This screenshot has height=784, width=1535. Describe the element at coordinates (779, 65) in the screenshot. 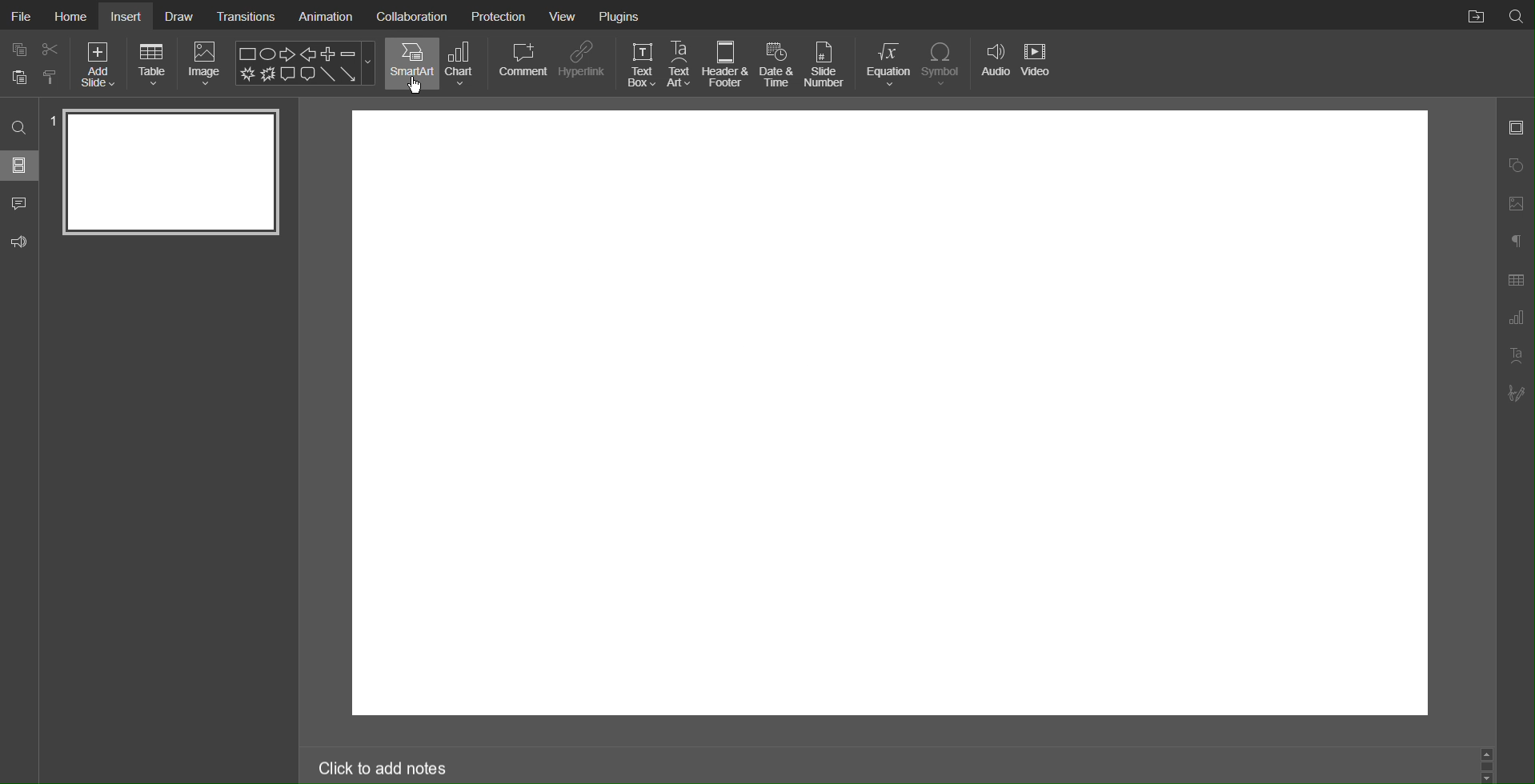

I see `Date and Time` at that location.